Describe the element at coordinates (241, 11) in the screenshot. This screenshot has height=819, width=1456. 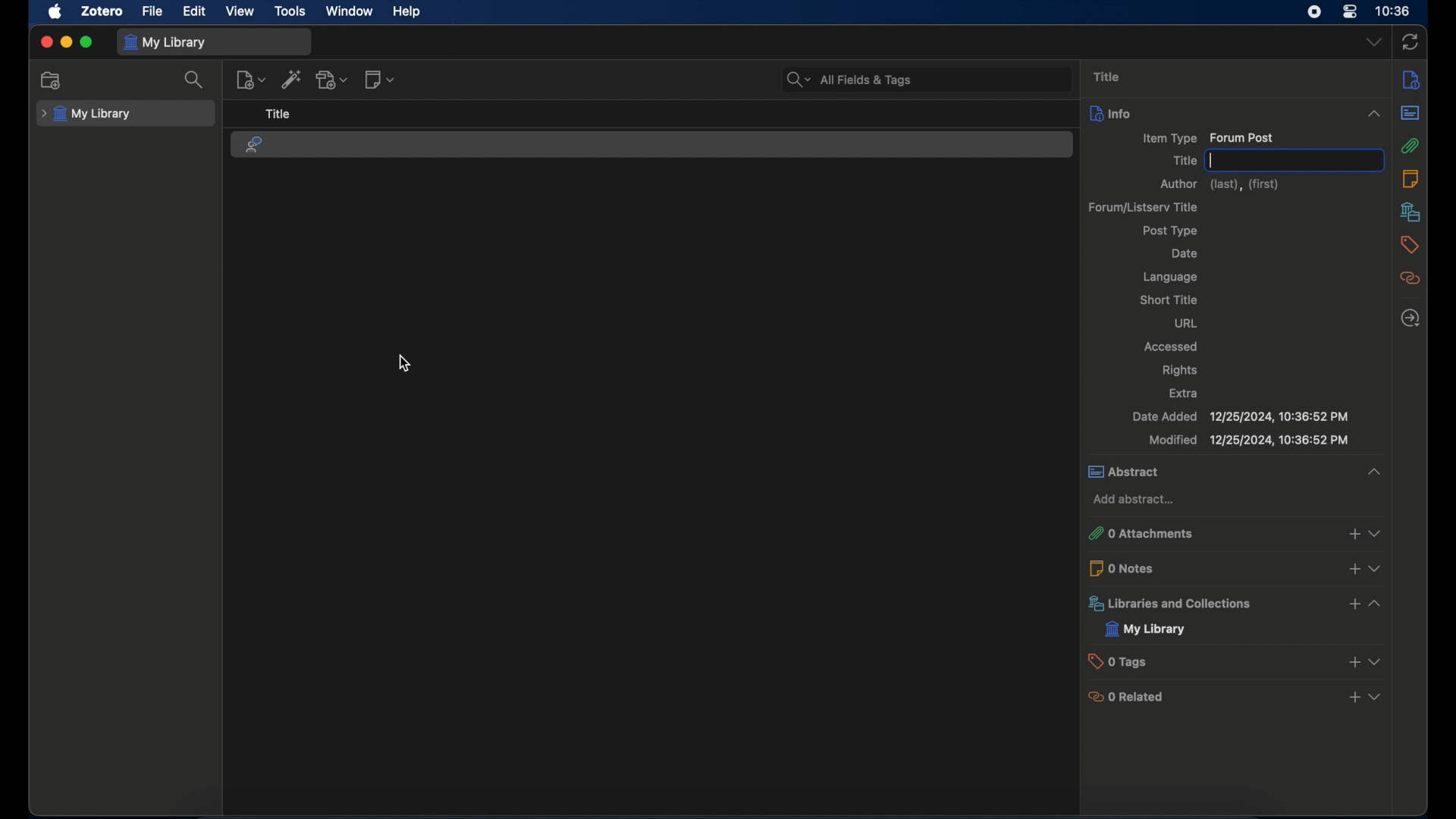
I see `view` at that location.